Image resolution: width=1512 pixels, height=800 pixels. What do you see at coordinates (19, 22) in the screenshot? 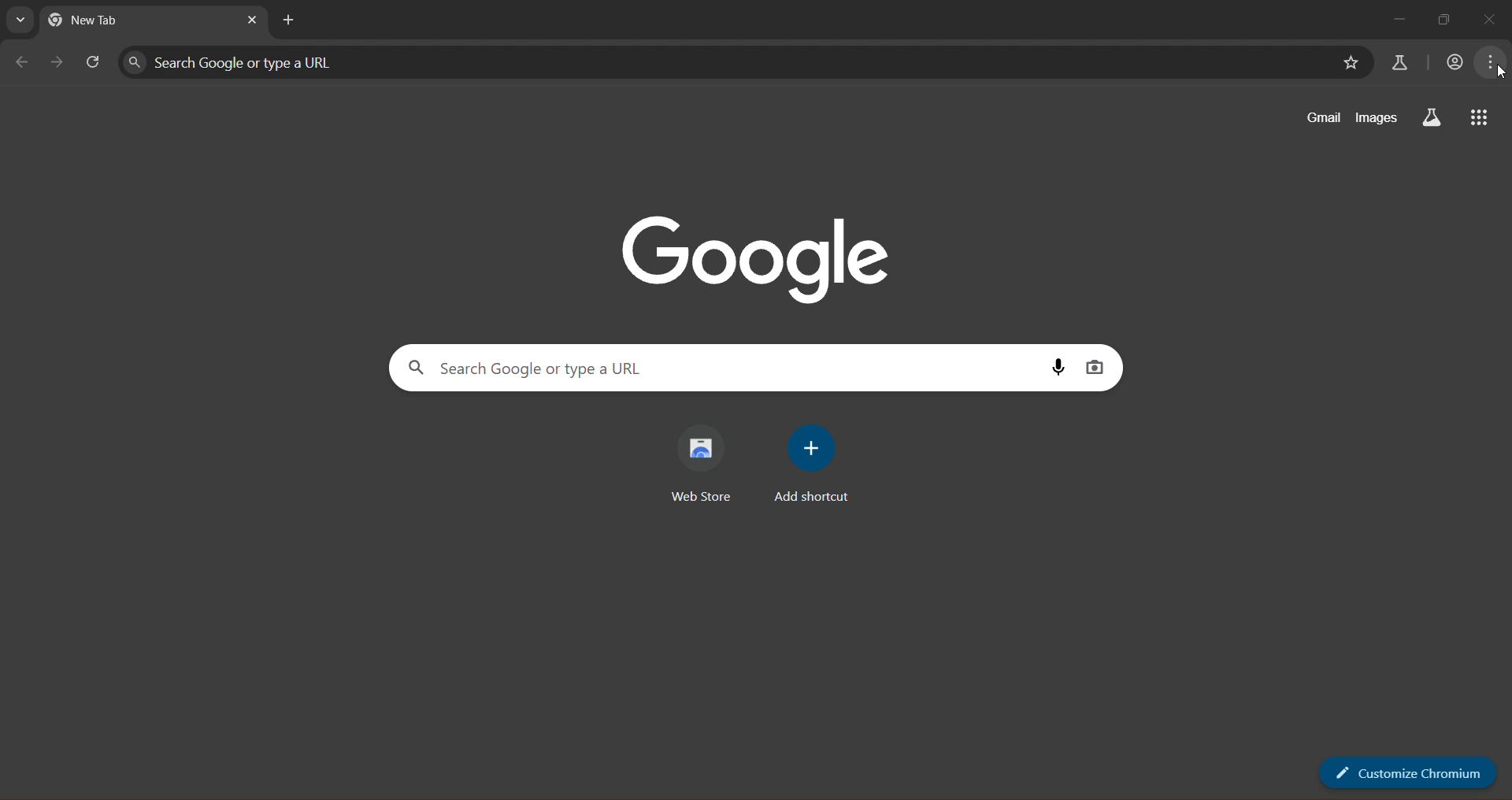
I see `search tabs` at bounding box center [19, 22].